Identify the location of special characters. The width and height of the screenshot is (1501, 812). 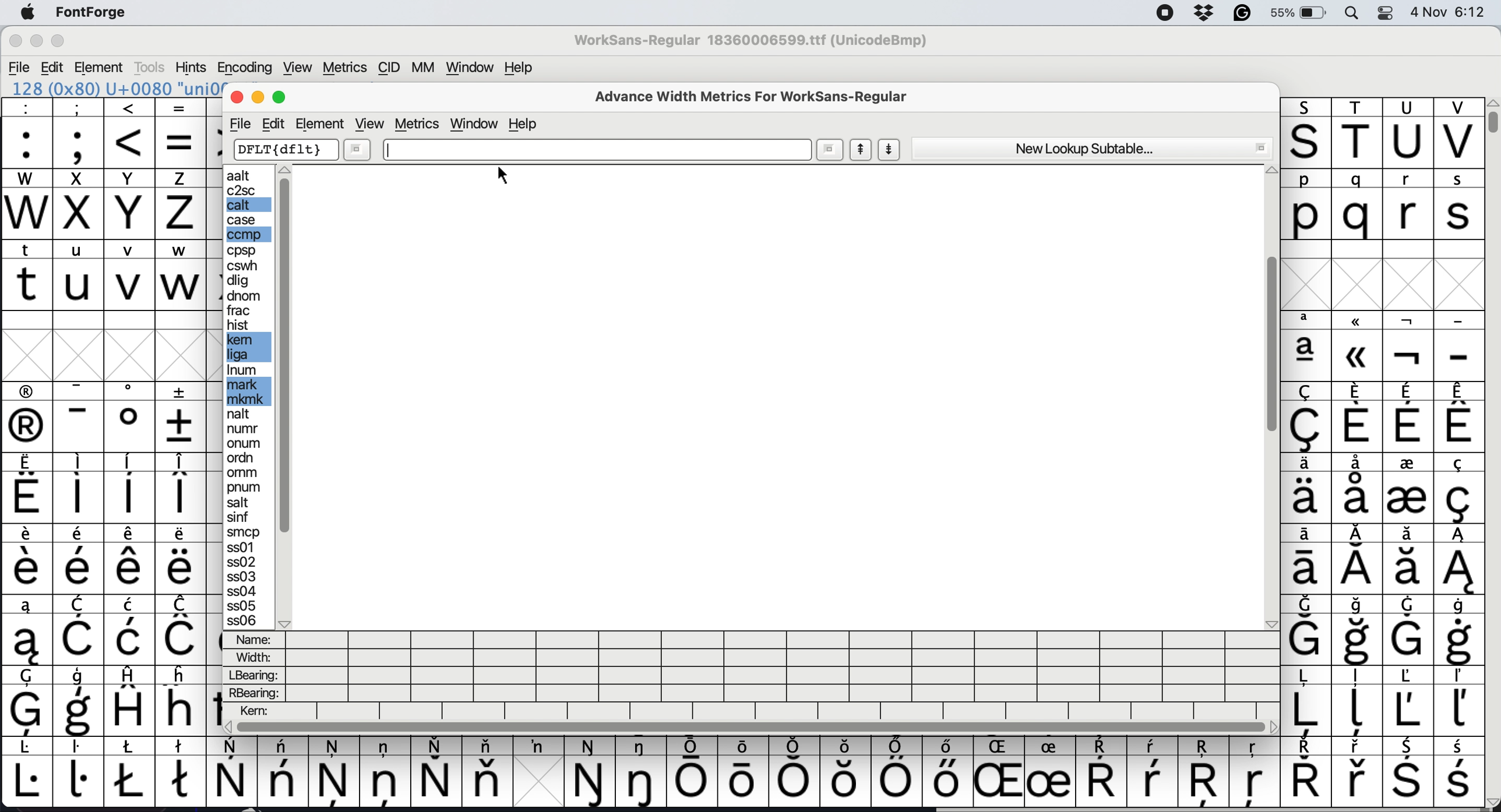
(105, 498).